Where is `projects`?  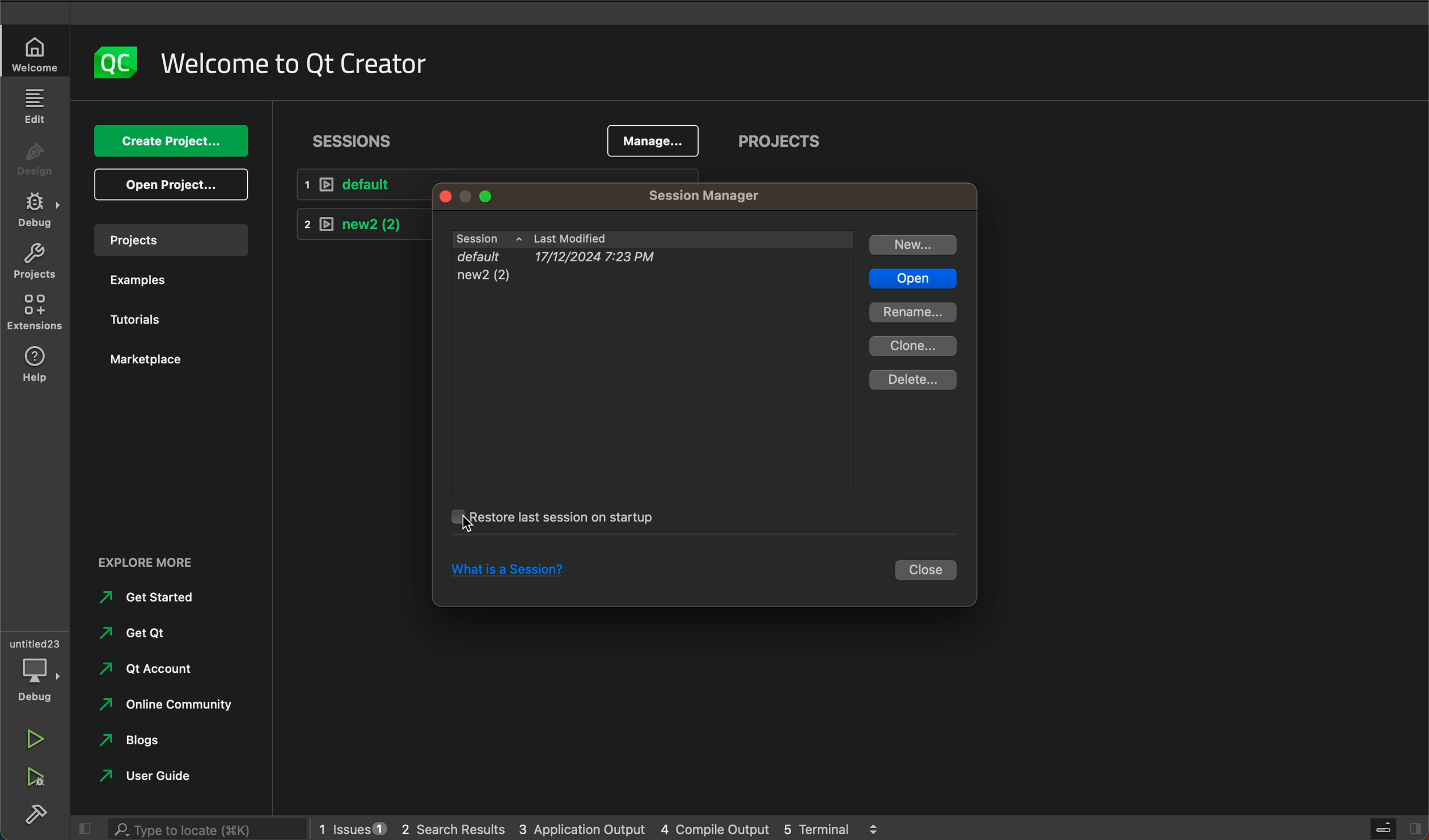 projects is located at coordinates (172, 243).